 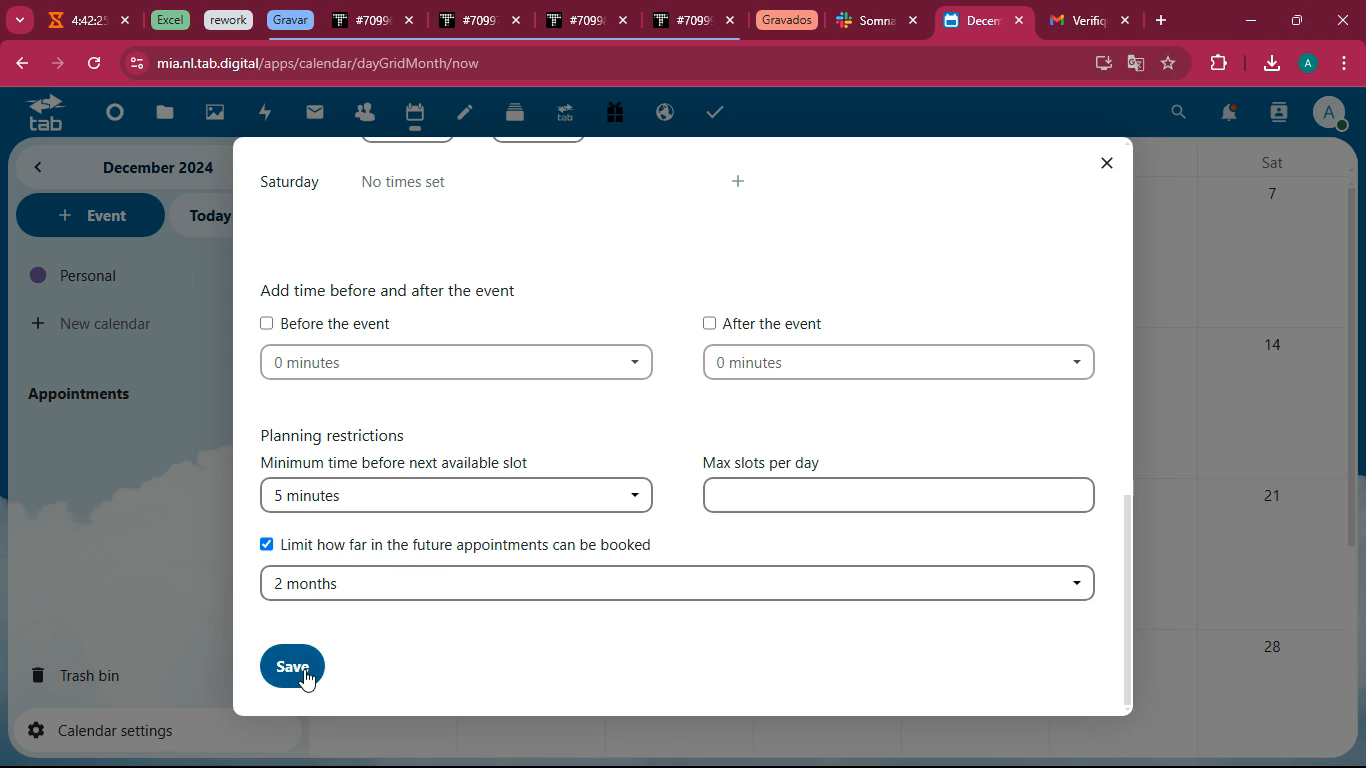 I want to click on appointments, so click(x=86, y=393).